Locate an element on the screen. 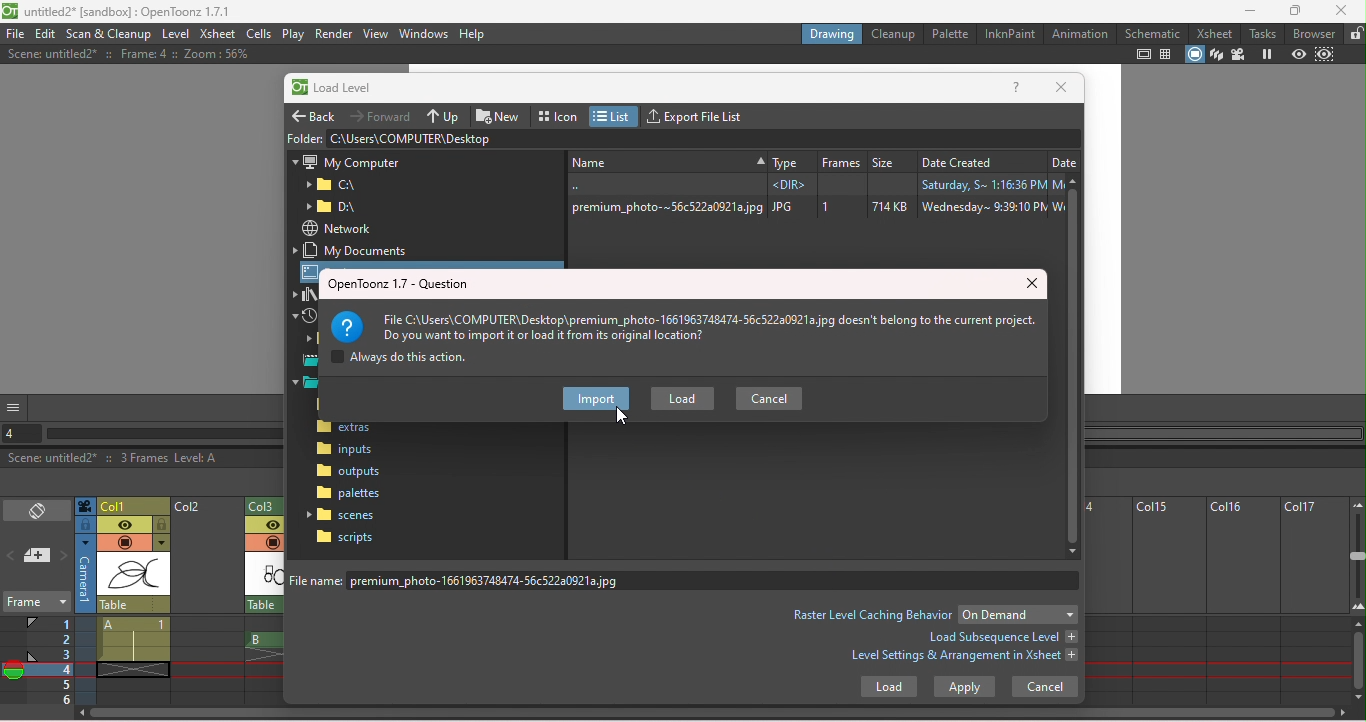  Drawing is located at coordinates (832, 33).